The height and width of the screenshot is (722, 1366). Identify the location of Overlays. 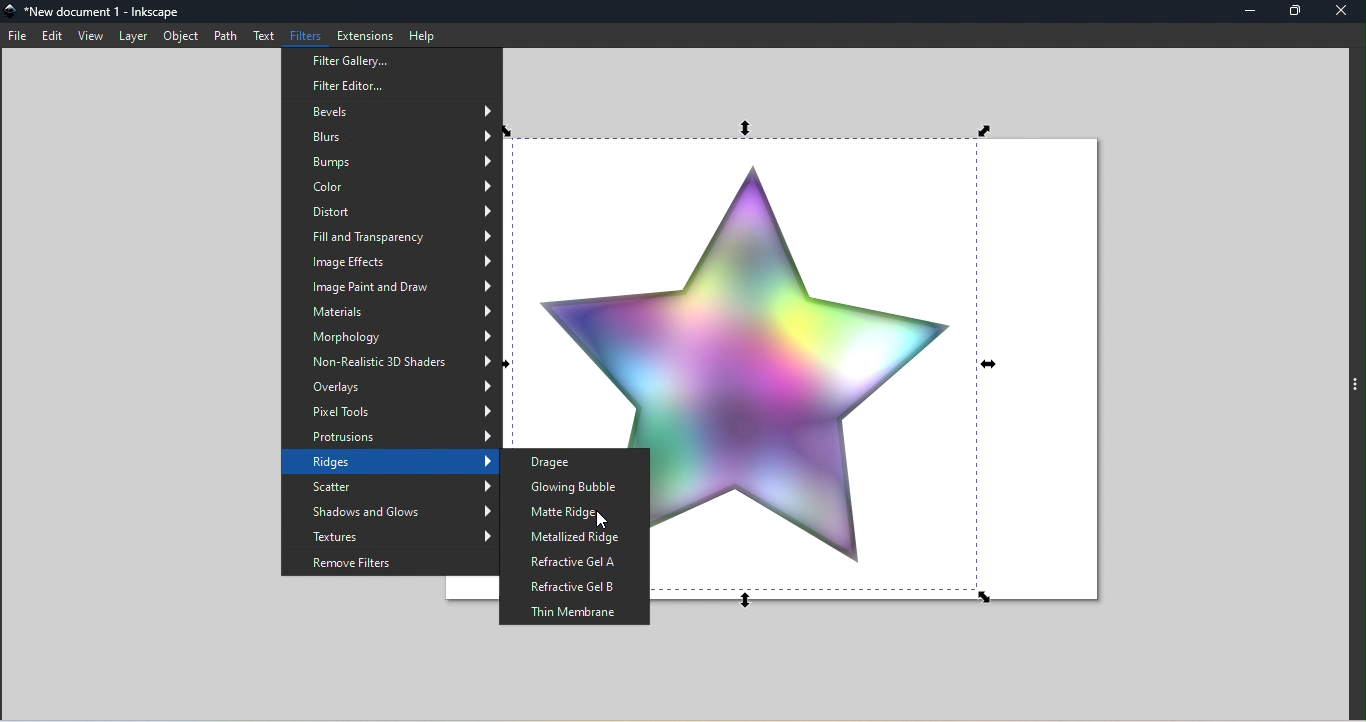
(391, 388).